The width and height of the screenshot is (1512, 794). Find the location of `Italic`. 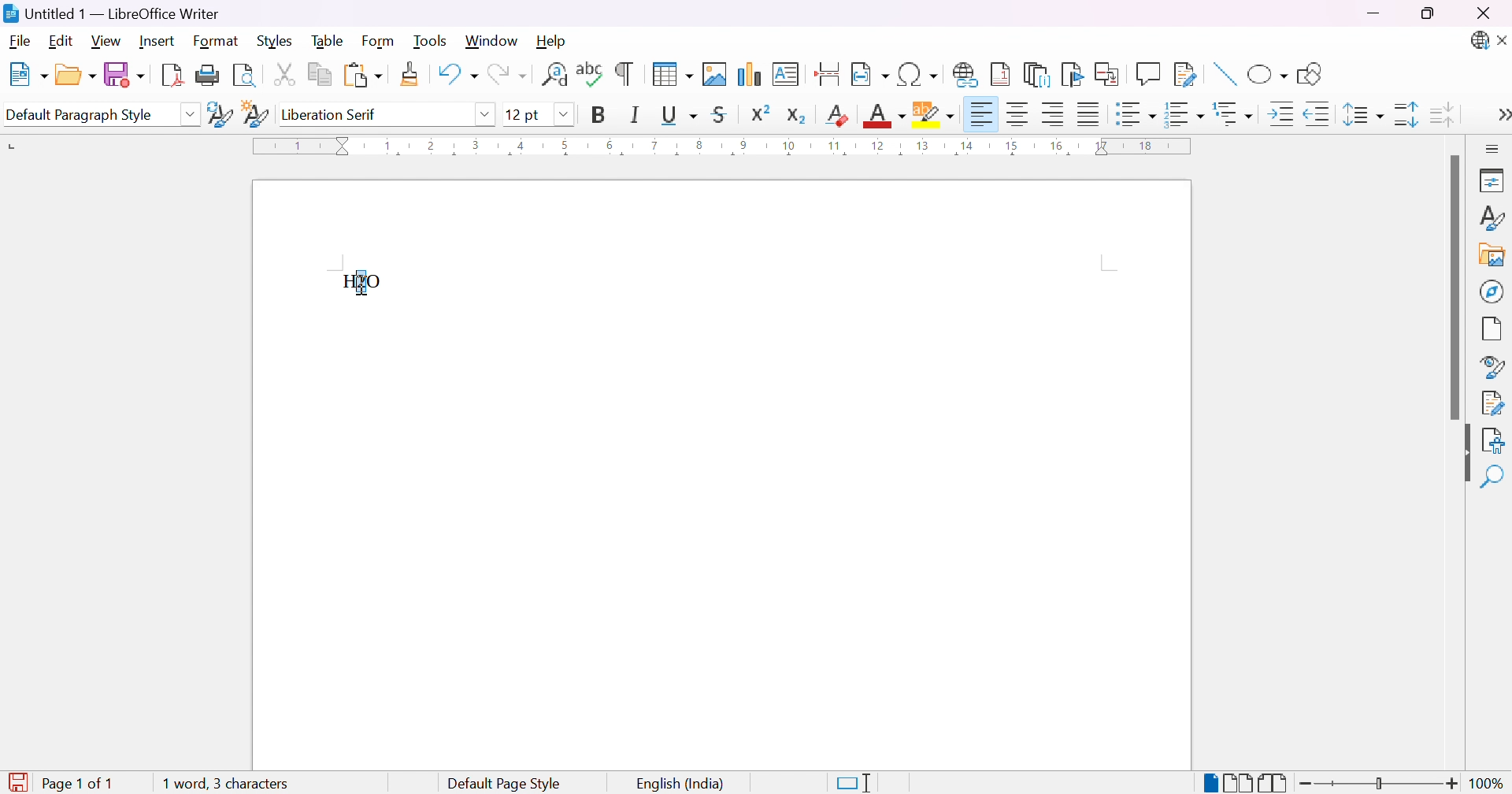

Italic is located at coordinates (636, 114).